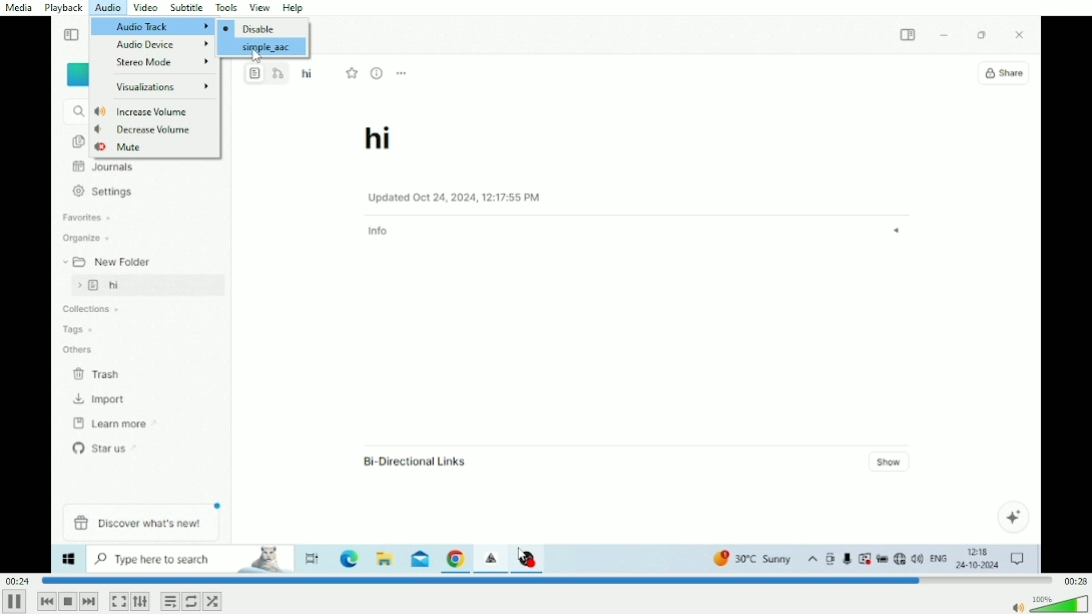 The image size is (1092, 614). Describe the element at coordinates (15, 601) in the screenshot. I see `Pause/Play` at that location.